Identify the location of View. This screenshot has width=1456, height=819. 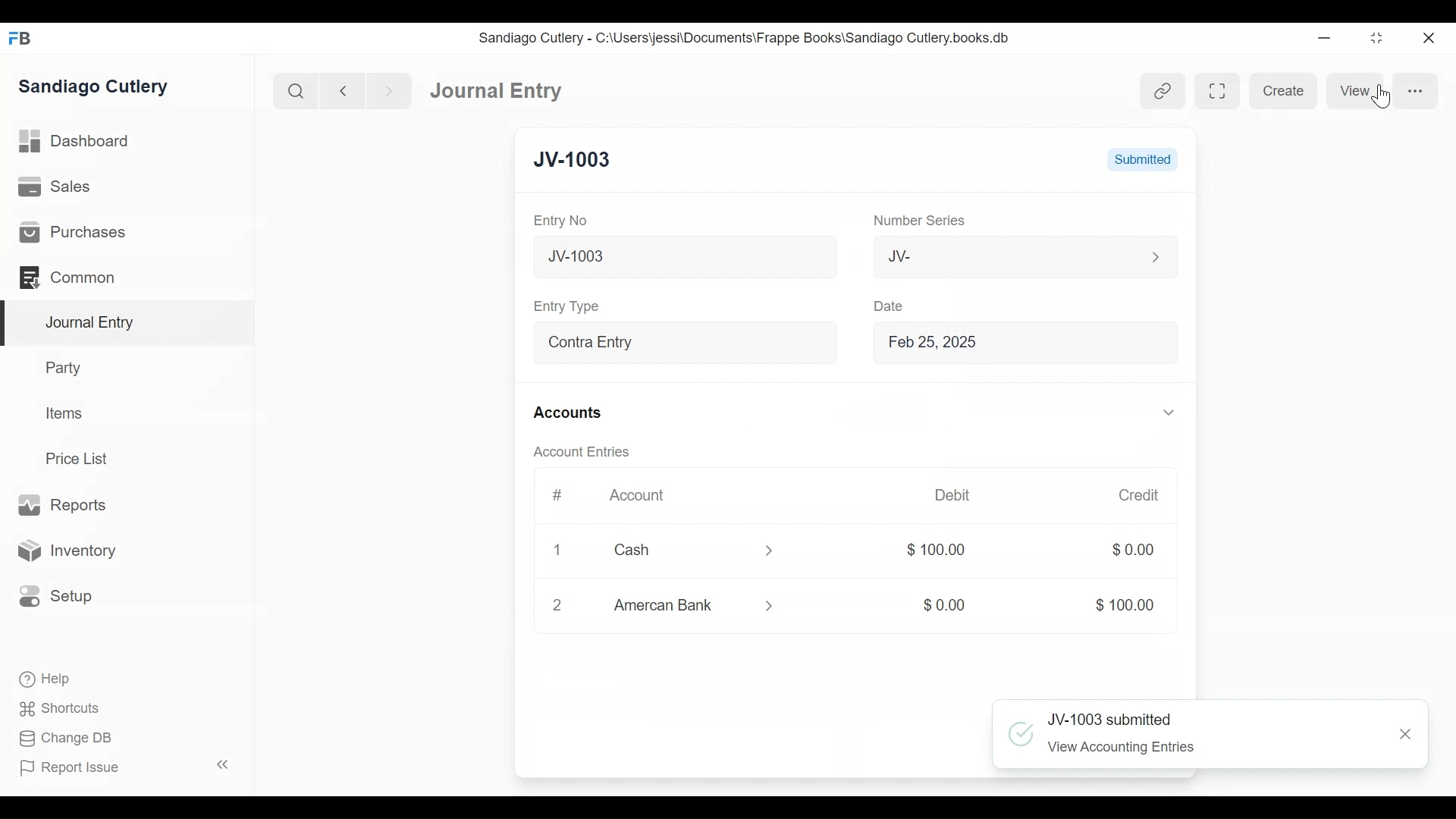
(1356, 91).